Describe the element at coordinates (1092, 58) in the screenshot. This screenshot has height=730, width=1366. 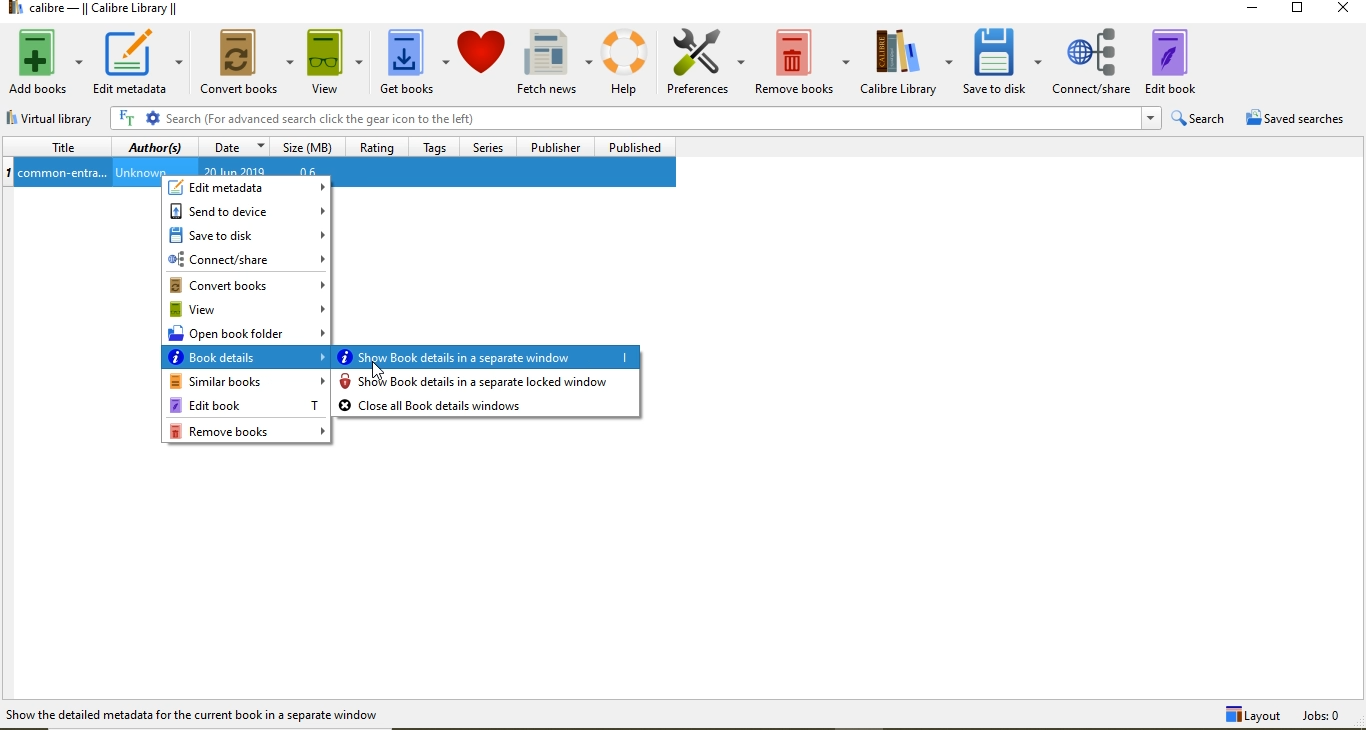
I see `connect/share` at that location.